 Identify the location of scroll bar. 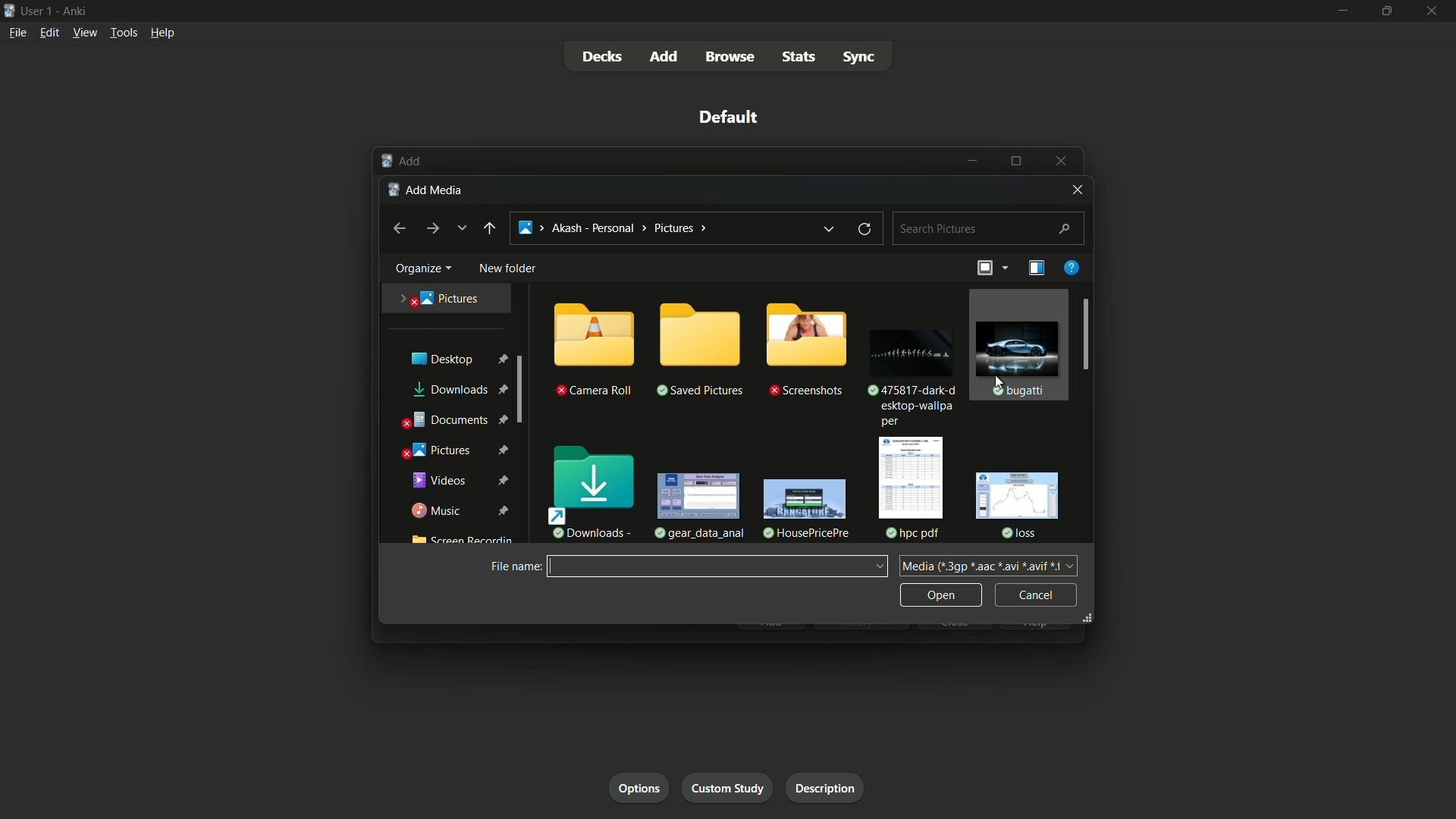
(1085, 334).